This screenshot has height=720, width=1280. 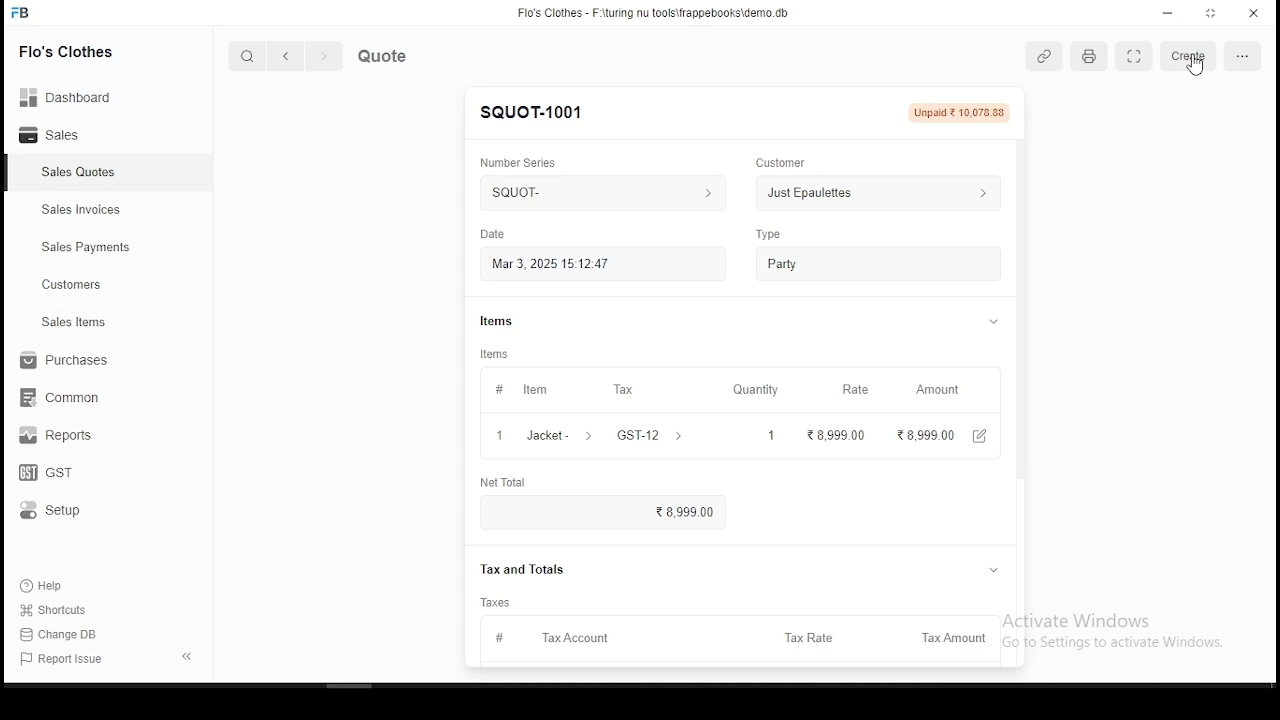 I want to click on ales items, so click(x=78, y=323).